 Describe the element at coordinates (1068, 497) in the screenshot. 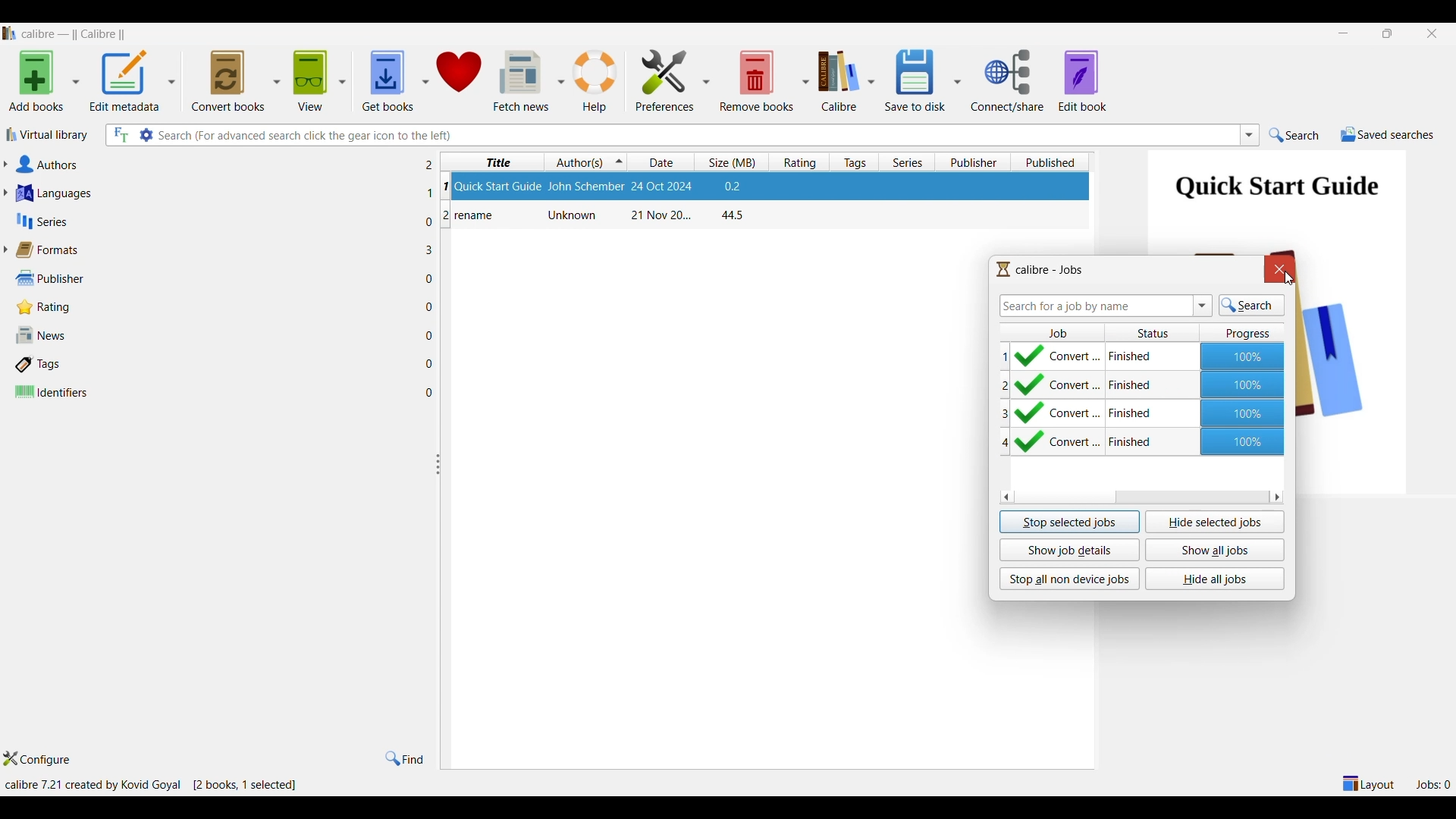

I see `Horizontal slide bar` at that location.